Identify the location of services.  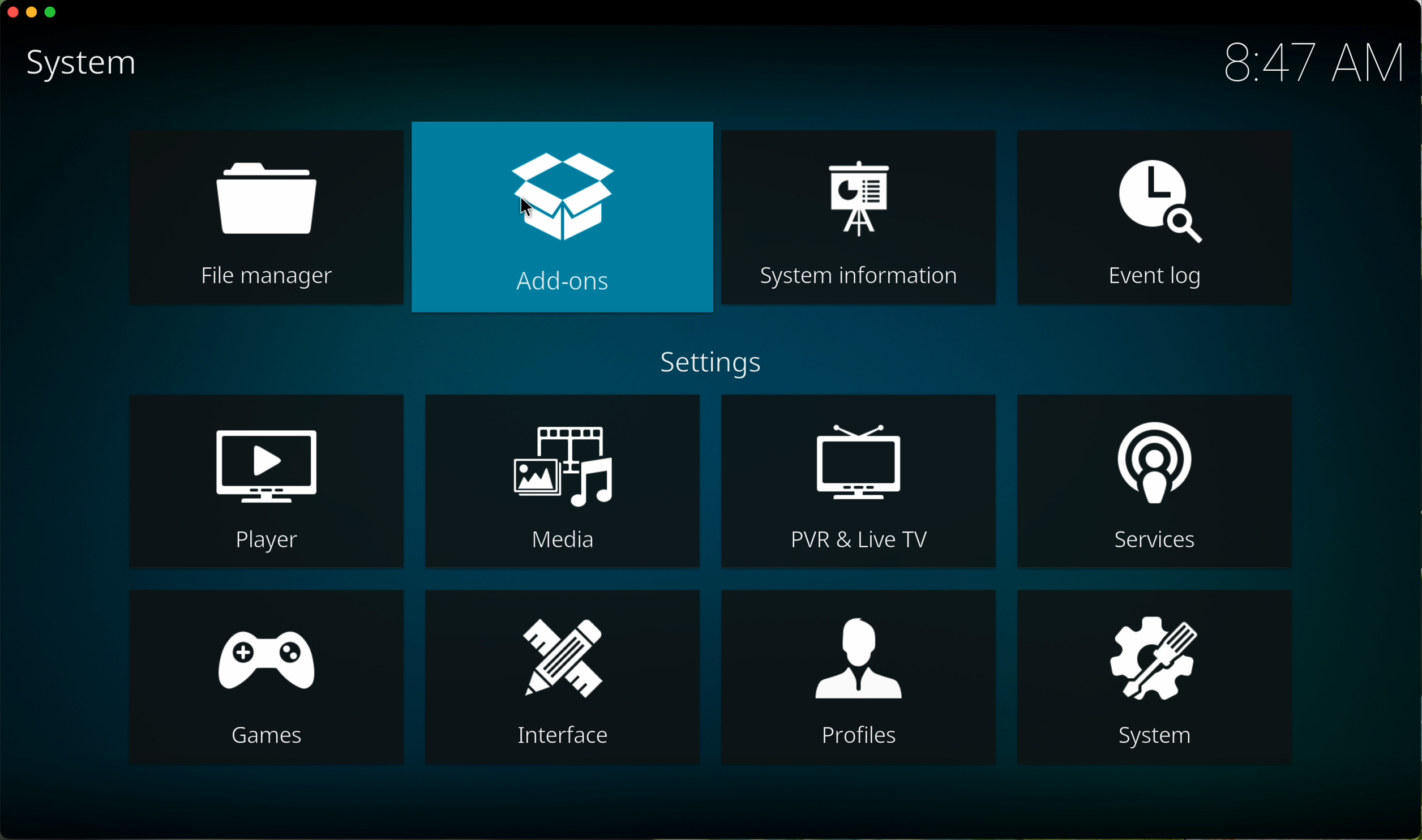
(1155, 482).